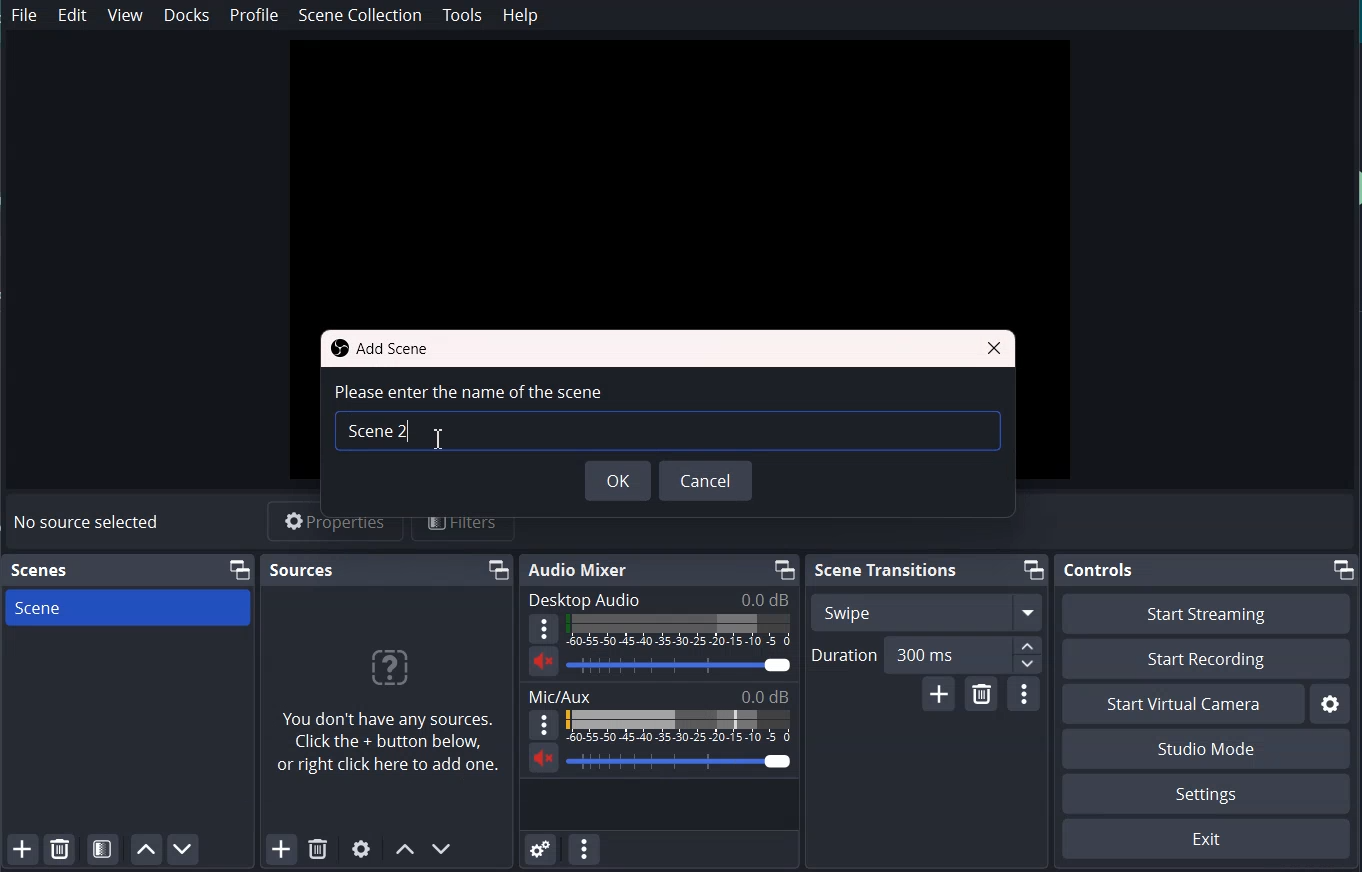 This screenshot has width=1362, height=872. I want to click on Move Scene Down, so click(183, 849).